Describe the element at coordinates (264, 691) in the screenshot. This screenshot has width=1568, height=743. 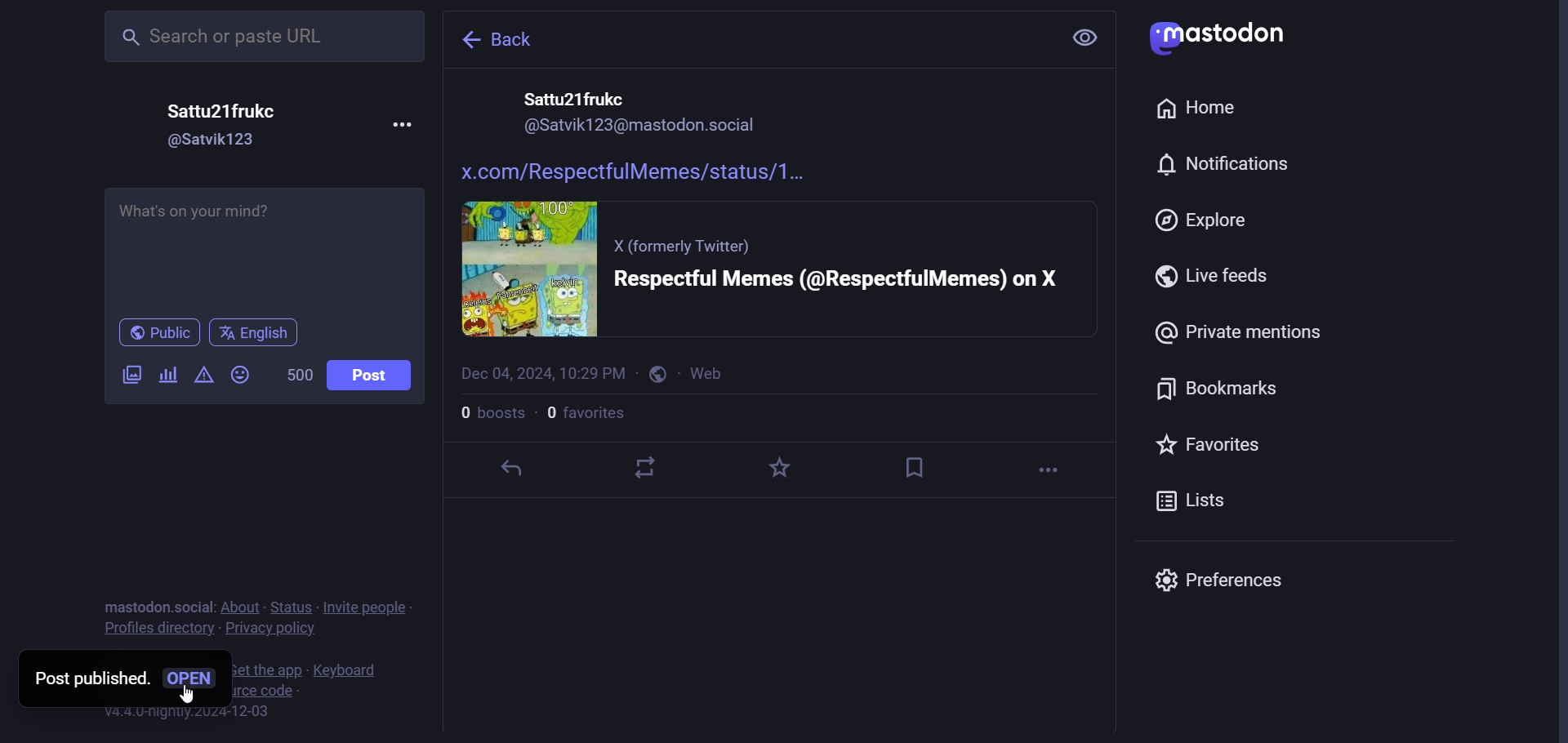
I see `view source code` at that location.